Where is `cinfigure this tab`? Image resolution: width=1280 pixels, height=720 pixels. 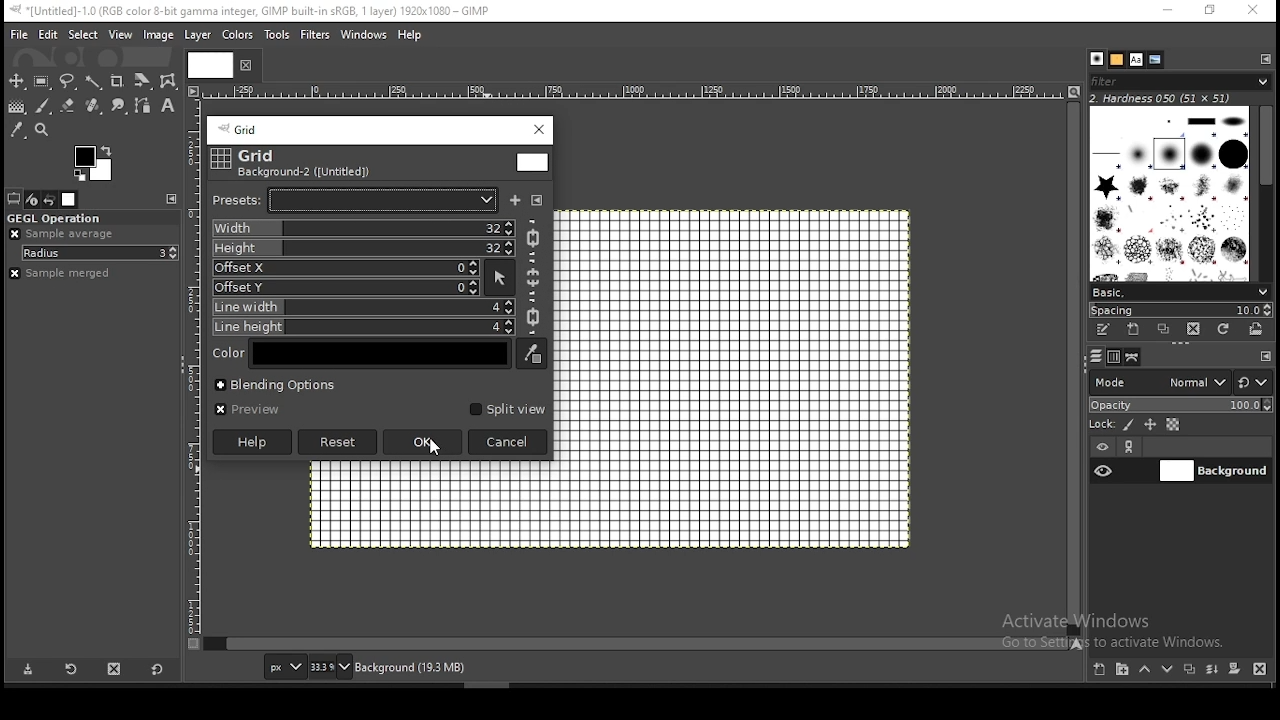
cinfigure this tab is located at coordinates (173, 199).